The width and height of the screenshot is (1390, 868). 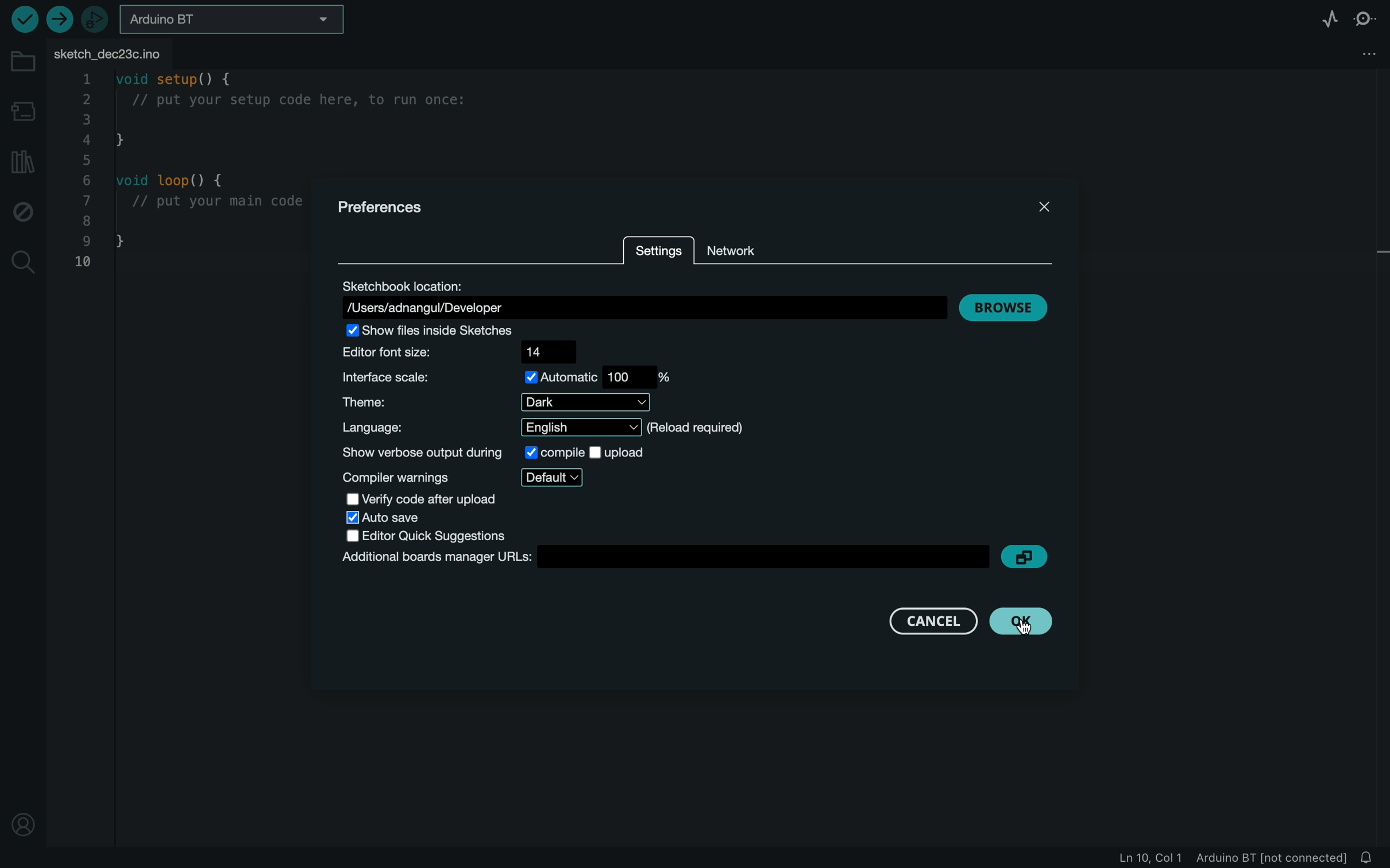 What do you see at coordinates (657, 253) in the screenshot?
I see `settings` at bounding box center [657, 253].